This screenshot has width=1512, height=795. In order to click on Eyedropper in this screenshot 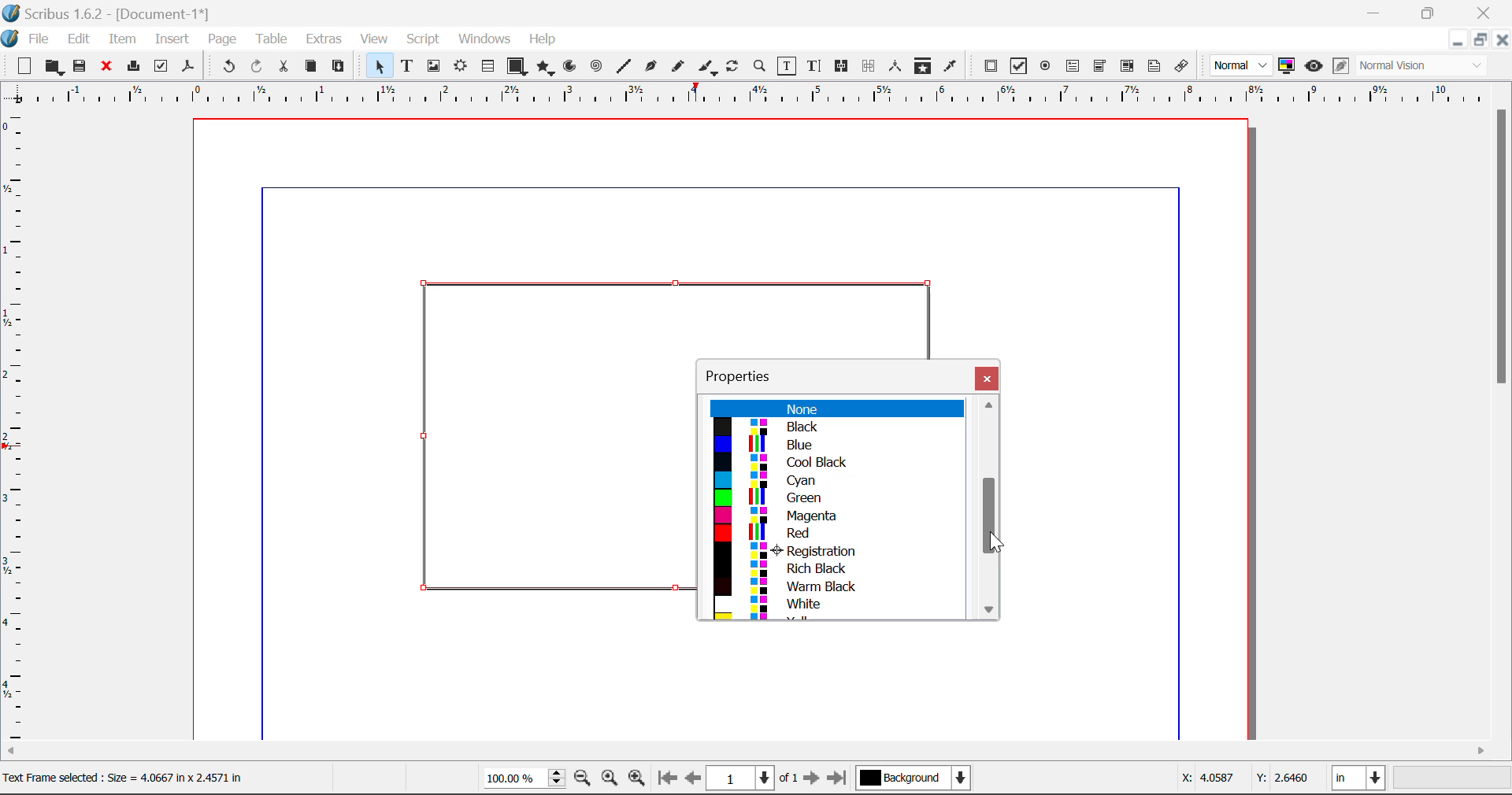, I will do `click(951, 65)`.